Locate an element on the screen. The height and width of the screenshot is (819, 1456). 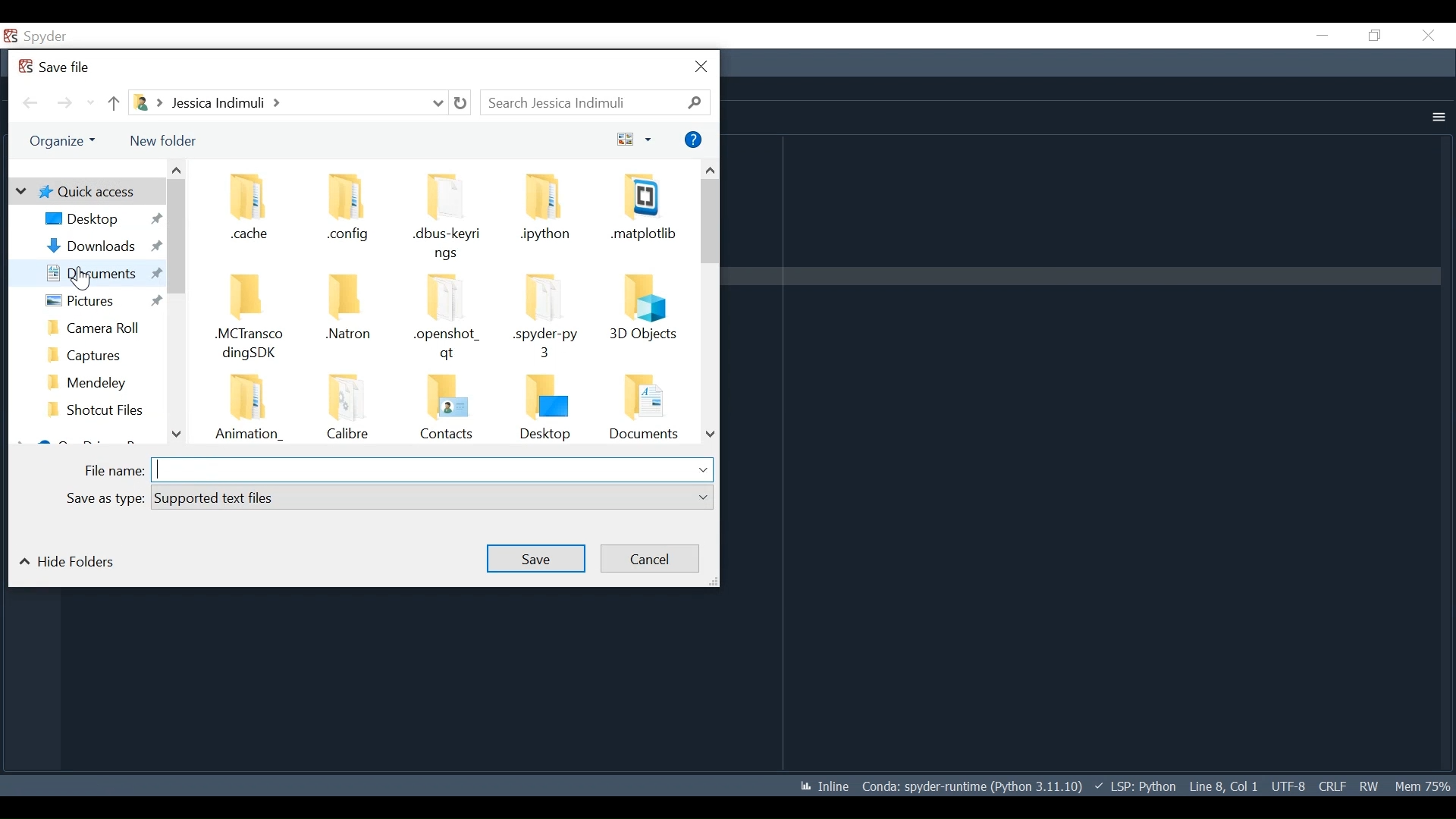
Close is located at coordinates (1428, 35).